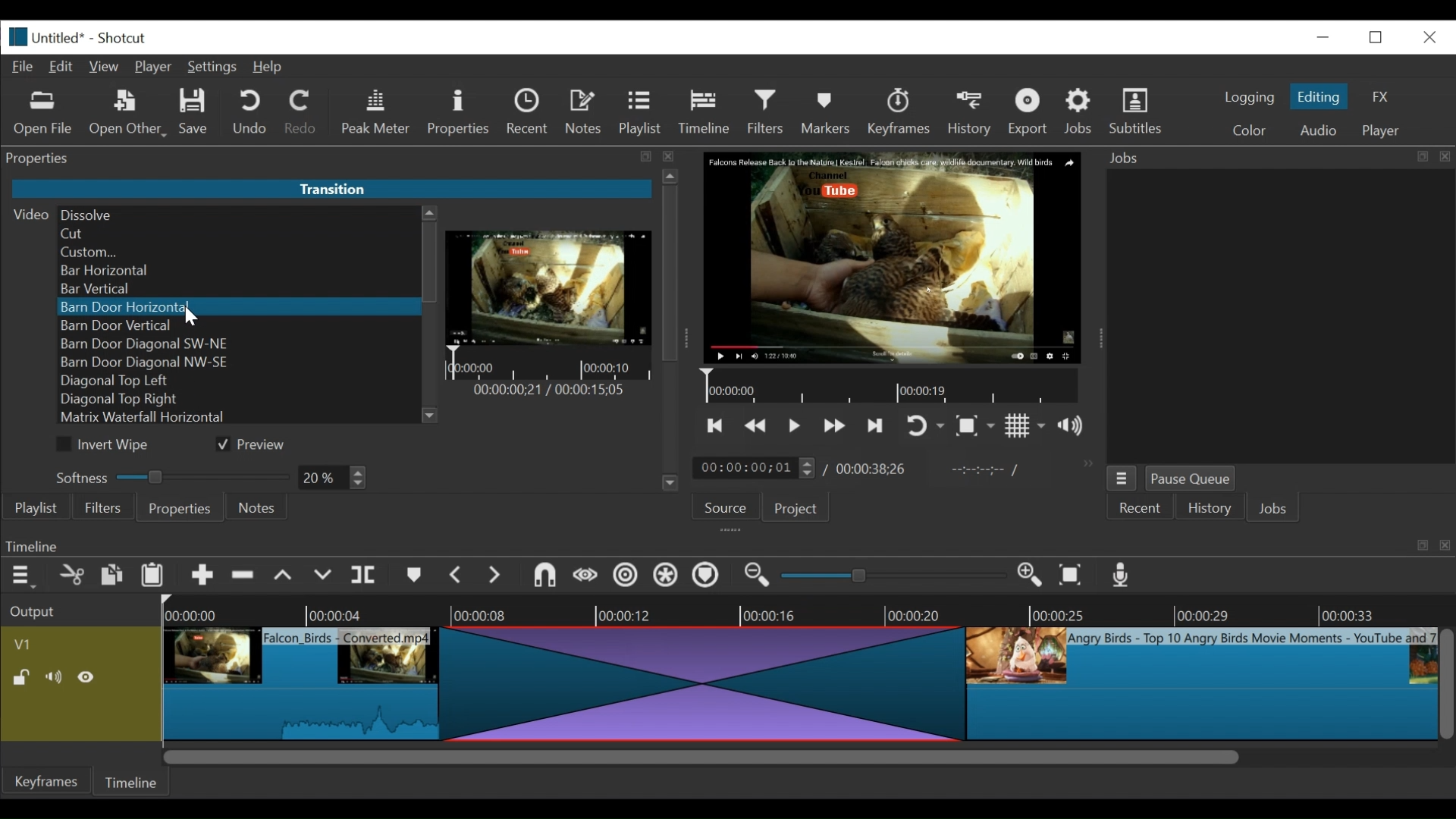  What do you see at coordinates (726, 545) in the screenshot?
I see `Timeline Panel` at bounding box center [726, 545].